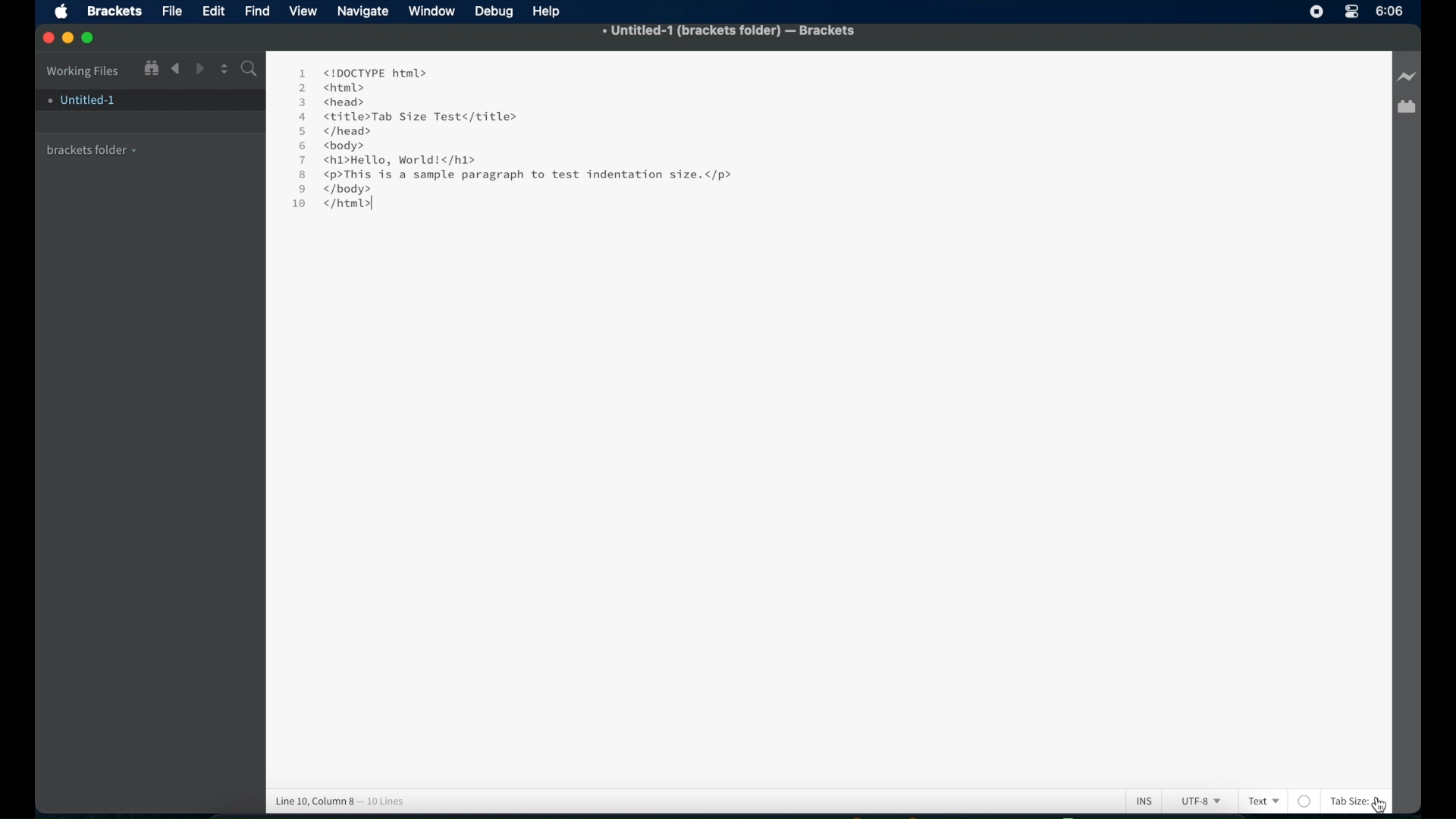 Image resolution: width=1456 pixels, height=819 pixels. Describe the element at coordinates (175, 69) in the screenshot. I see `Left` at that location.